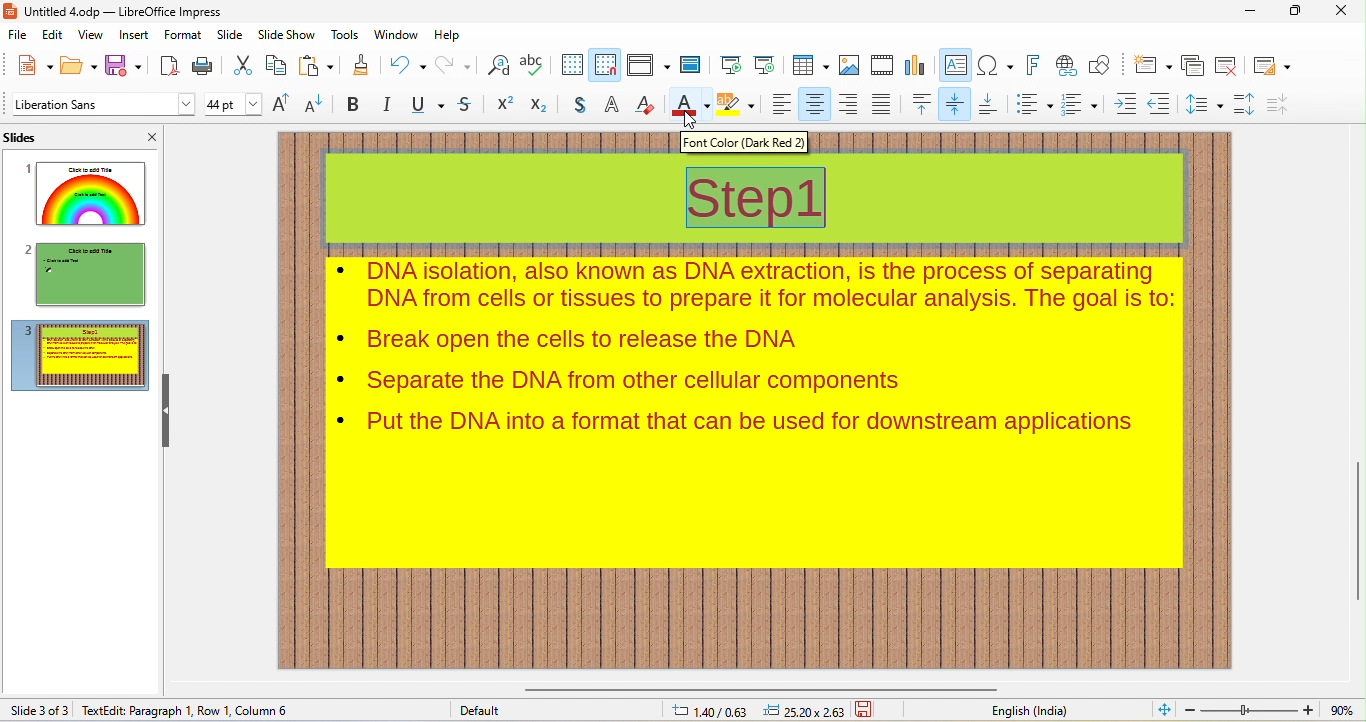 The width and height of the screenshot is (1366, 722). I want to click on vertical scroll, so click(1351, 523).